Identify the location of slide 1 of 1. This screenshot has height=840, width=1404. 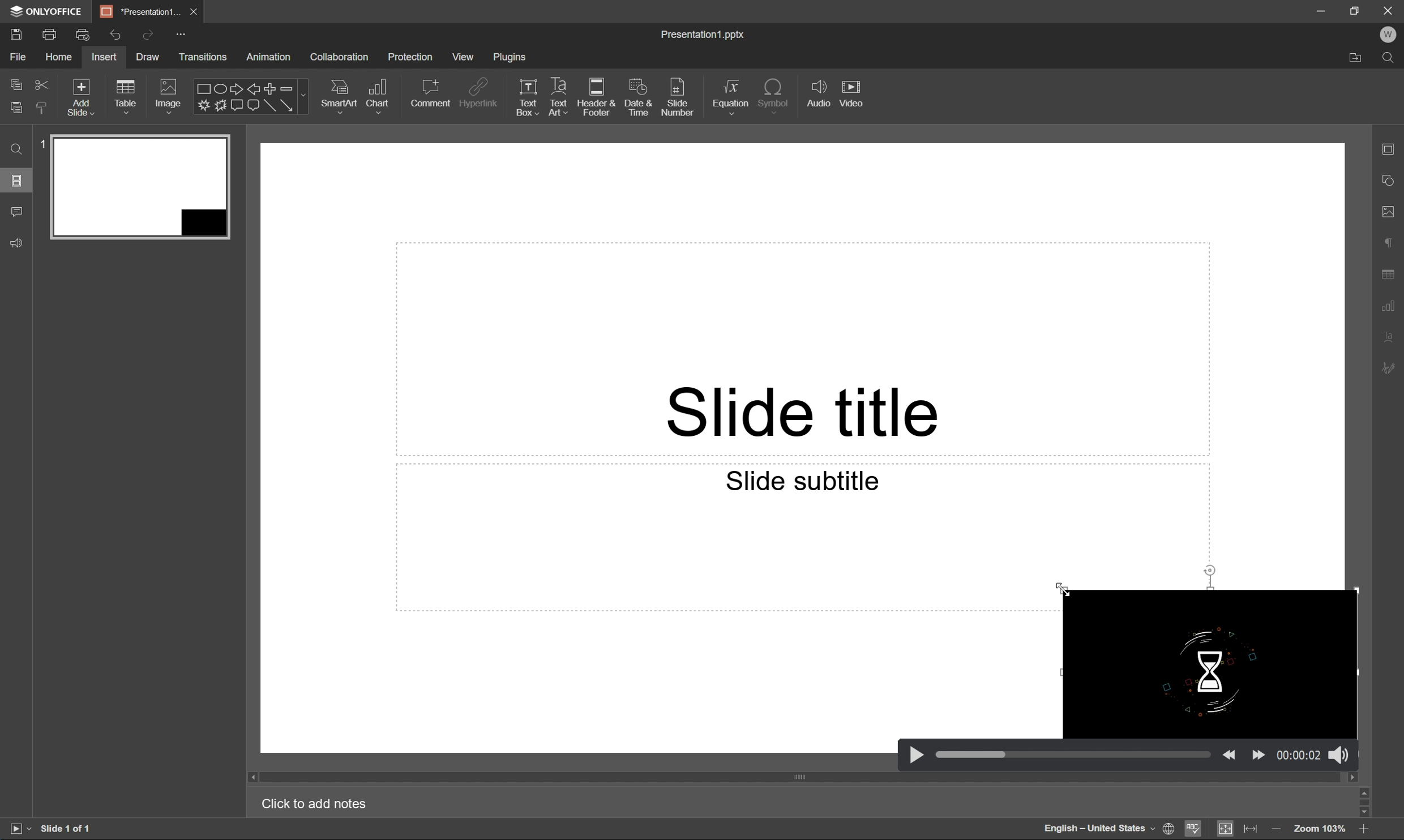
(73, 829).